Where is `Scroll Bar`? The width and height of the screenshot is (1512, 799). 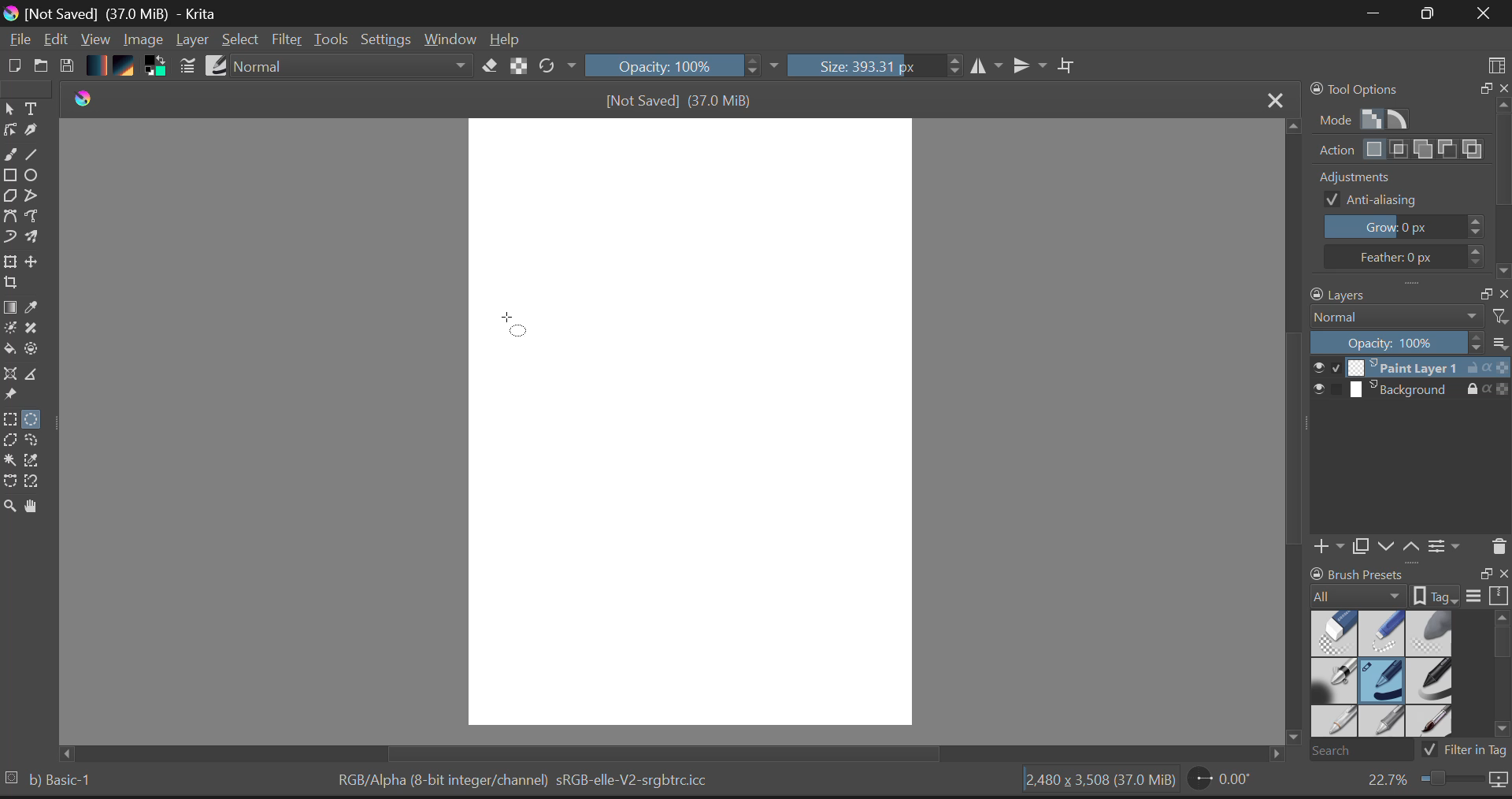
Scroll Bar is located at coordinates (679, 753).